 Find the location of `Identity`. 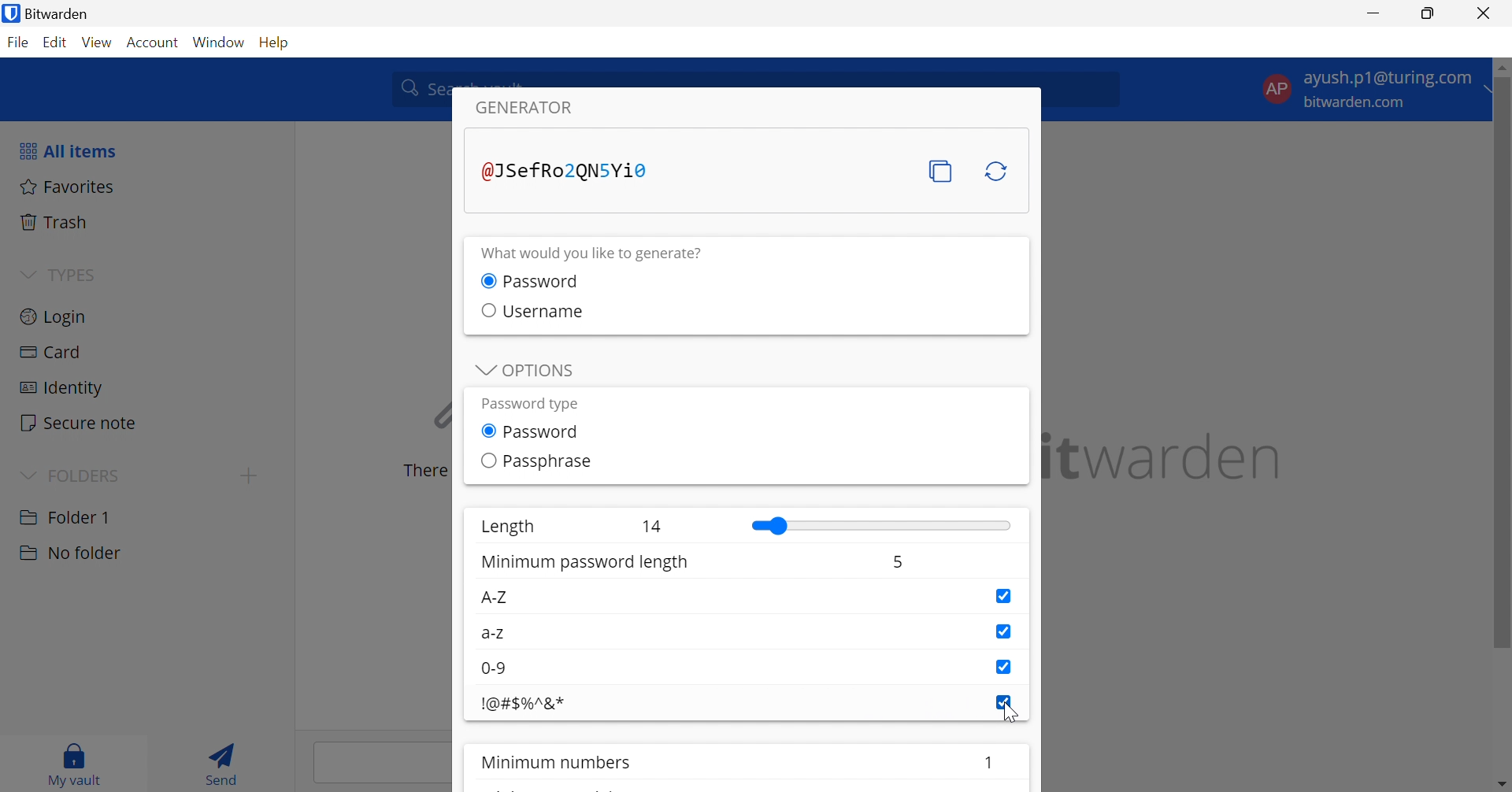

Identity is located at coordinates (62, 389).